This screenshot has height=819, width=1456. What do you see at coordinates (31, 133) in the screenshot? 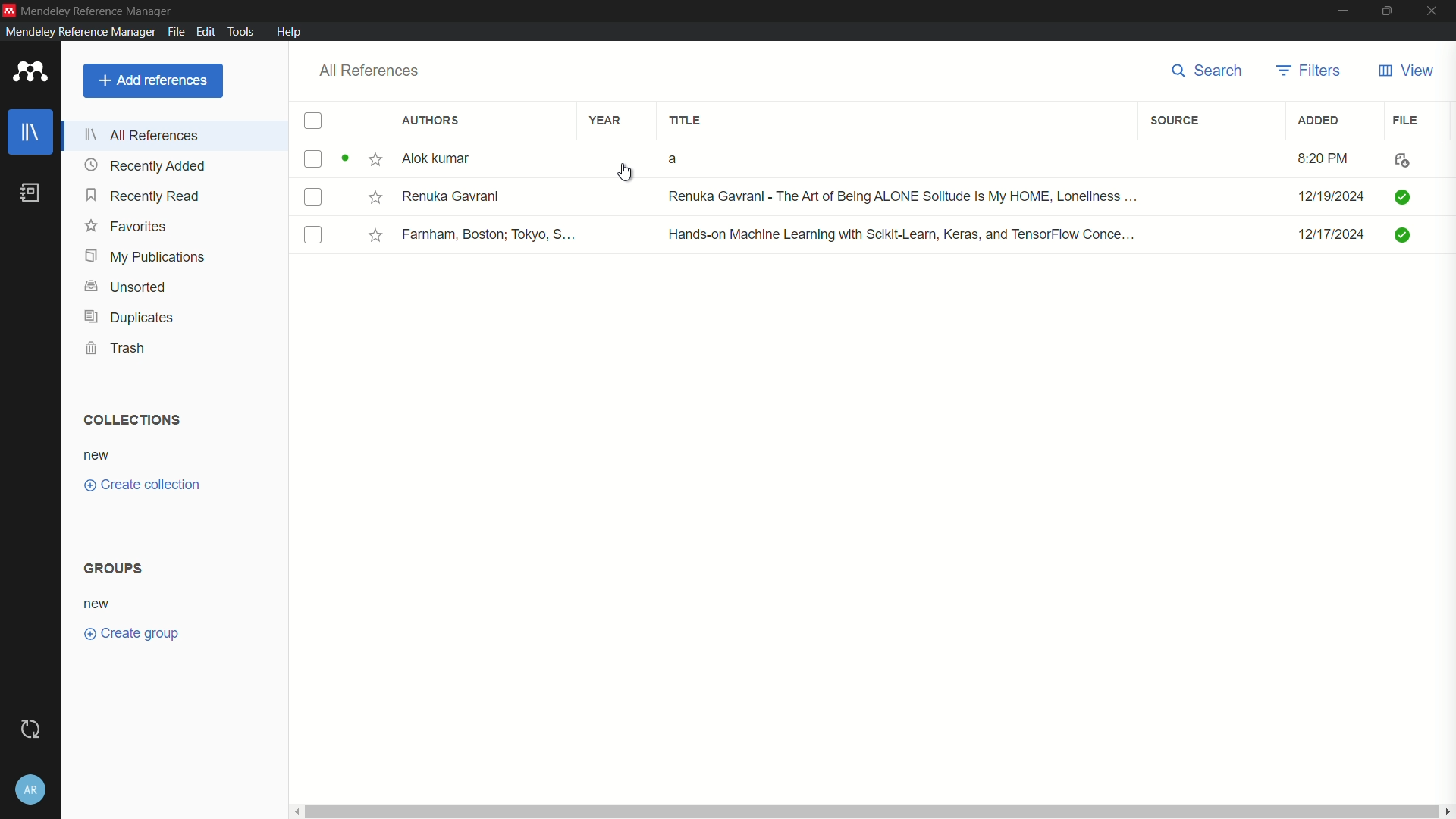
I see `library` at bounding box center [31, 133].